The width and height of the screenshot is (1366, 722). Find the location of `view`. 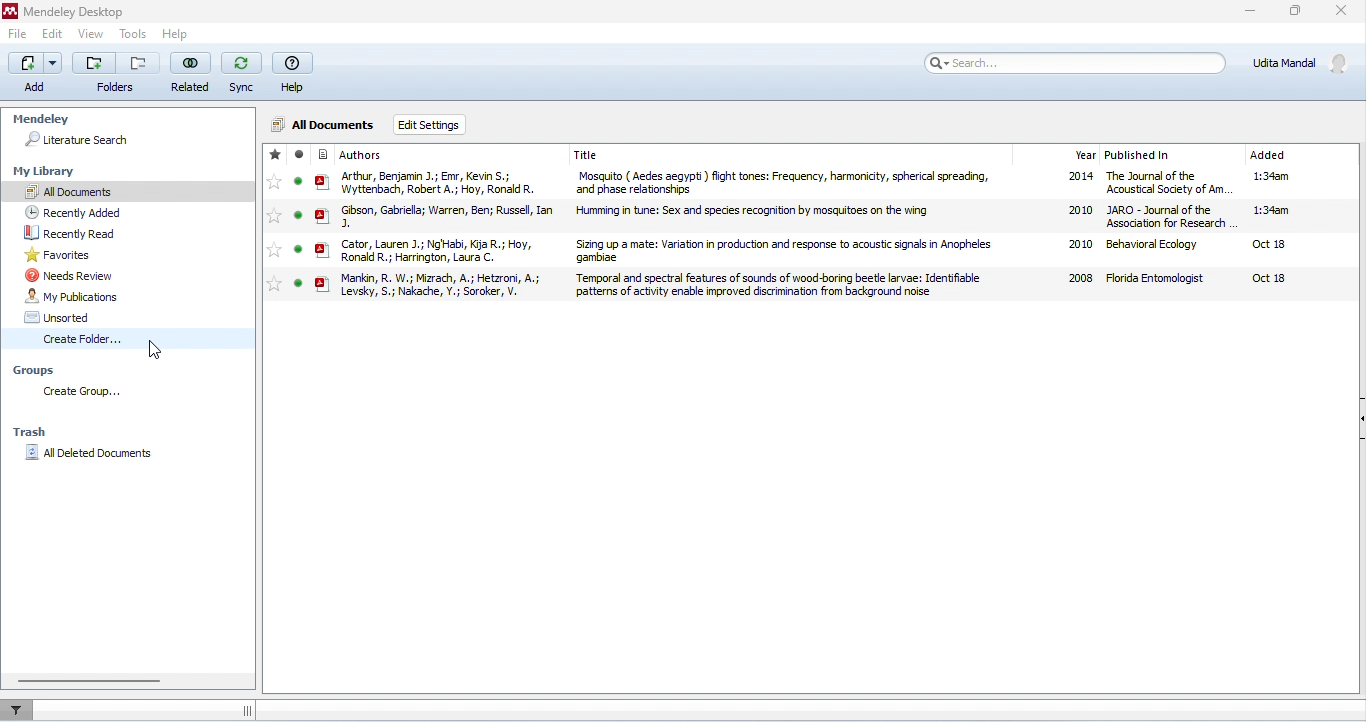

view is located at coordinates (90, 34).